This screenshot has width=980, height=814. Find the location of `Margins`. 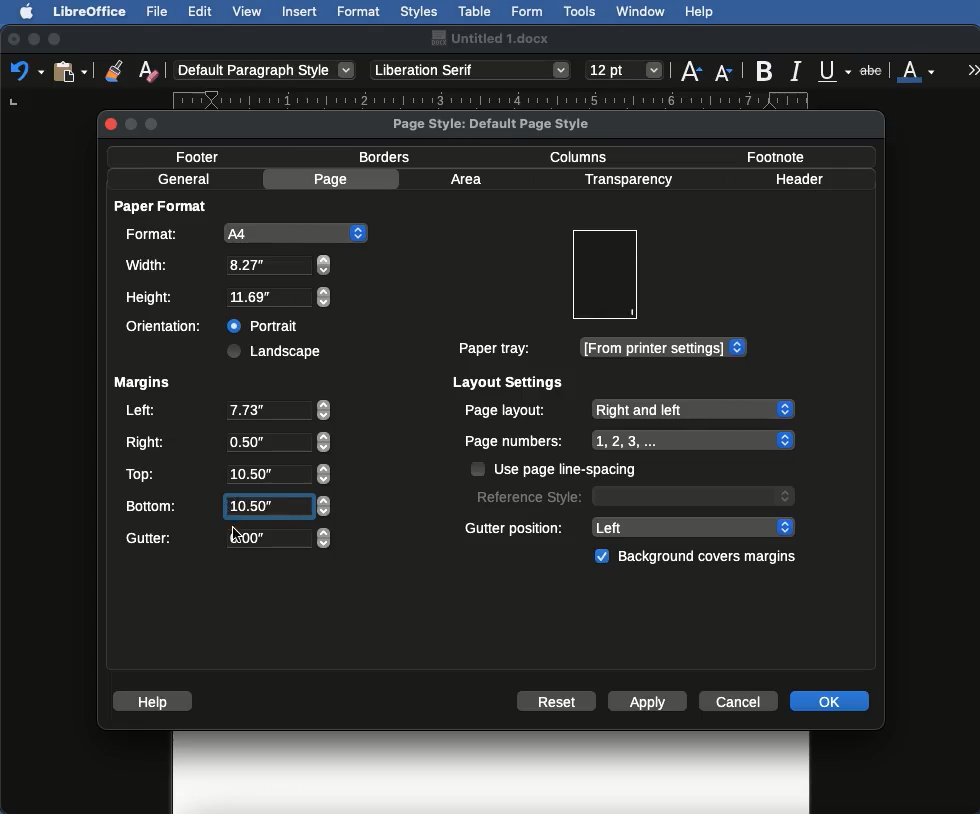

Margins is located at coordinates (141, 383).